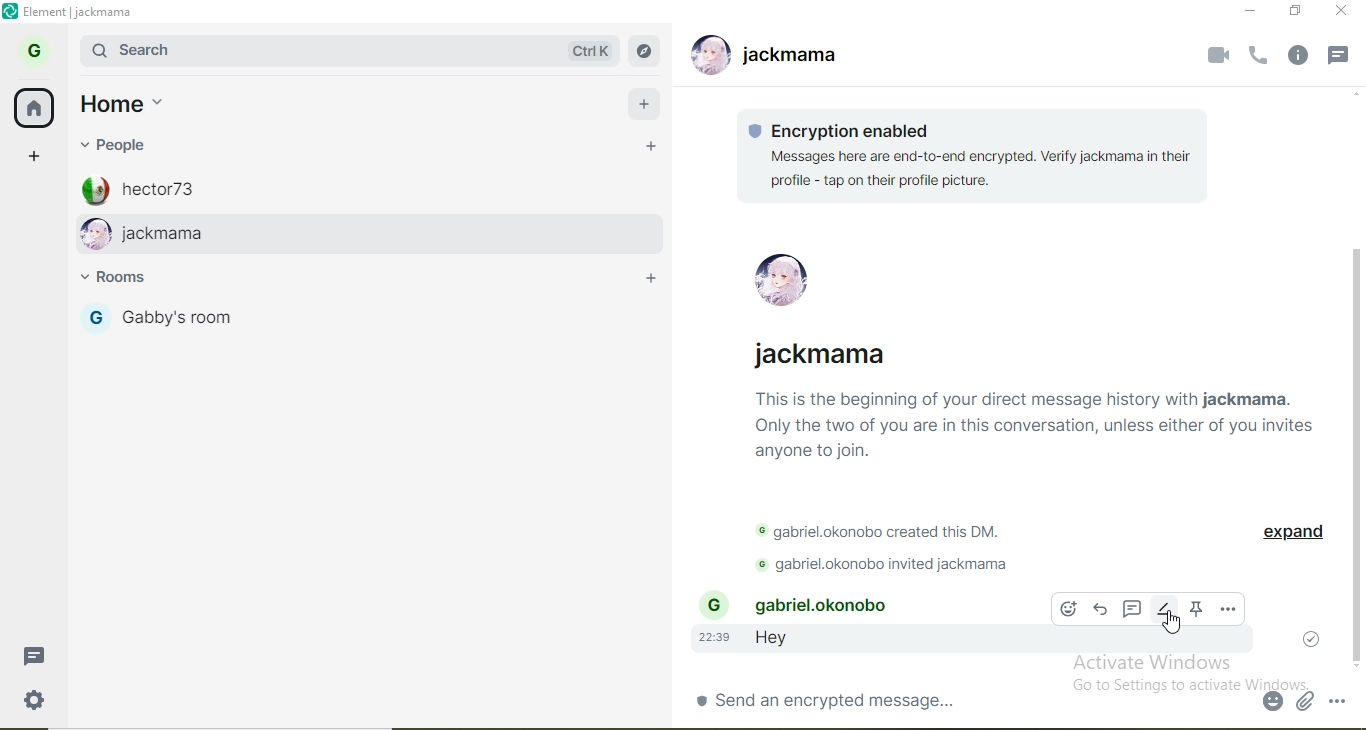 This screenshot has width=1366, height=730. What do you see at coordinates (1289, 532) in the screenshot?
I see `expand` at bounding box center [1289, 532].